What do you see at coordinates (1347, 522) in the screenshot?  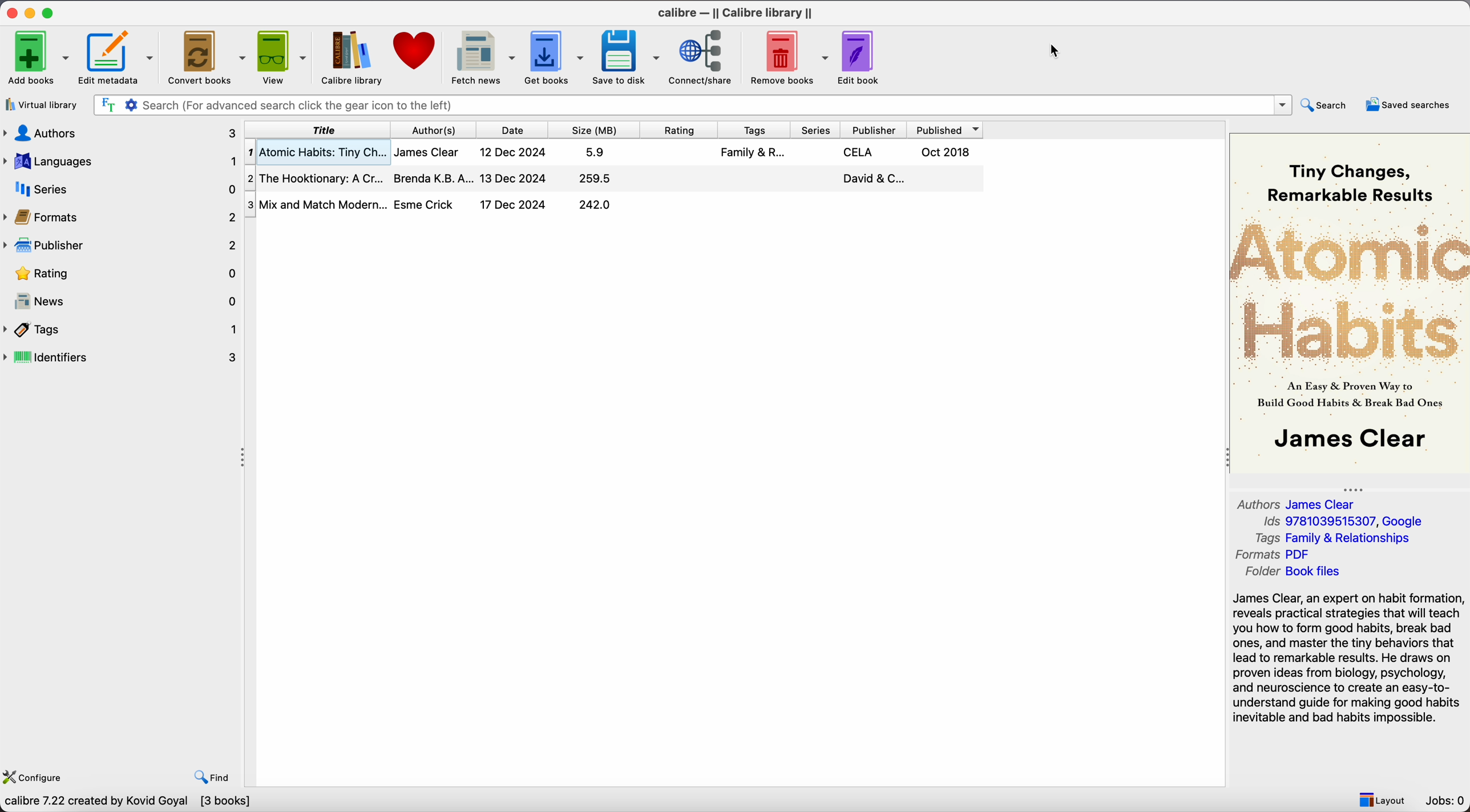 I see `Ids 9781039515307, Google` at bounding box center [1347, 522].